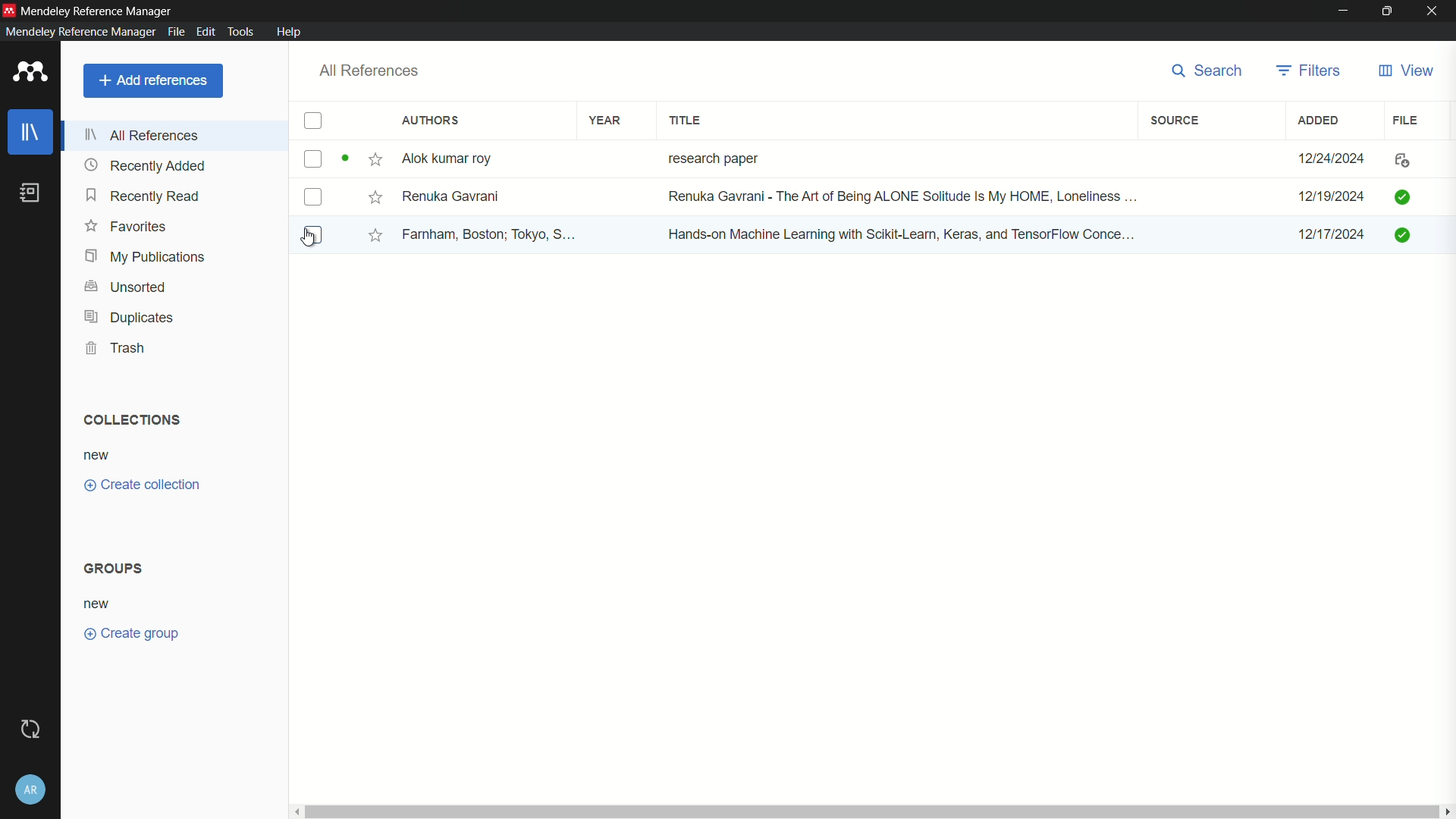  I want to click on checkbox, so click(317, 121).